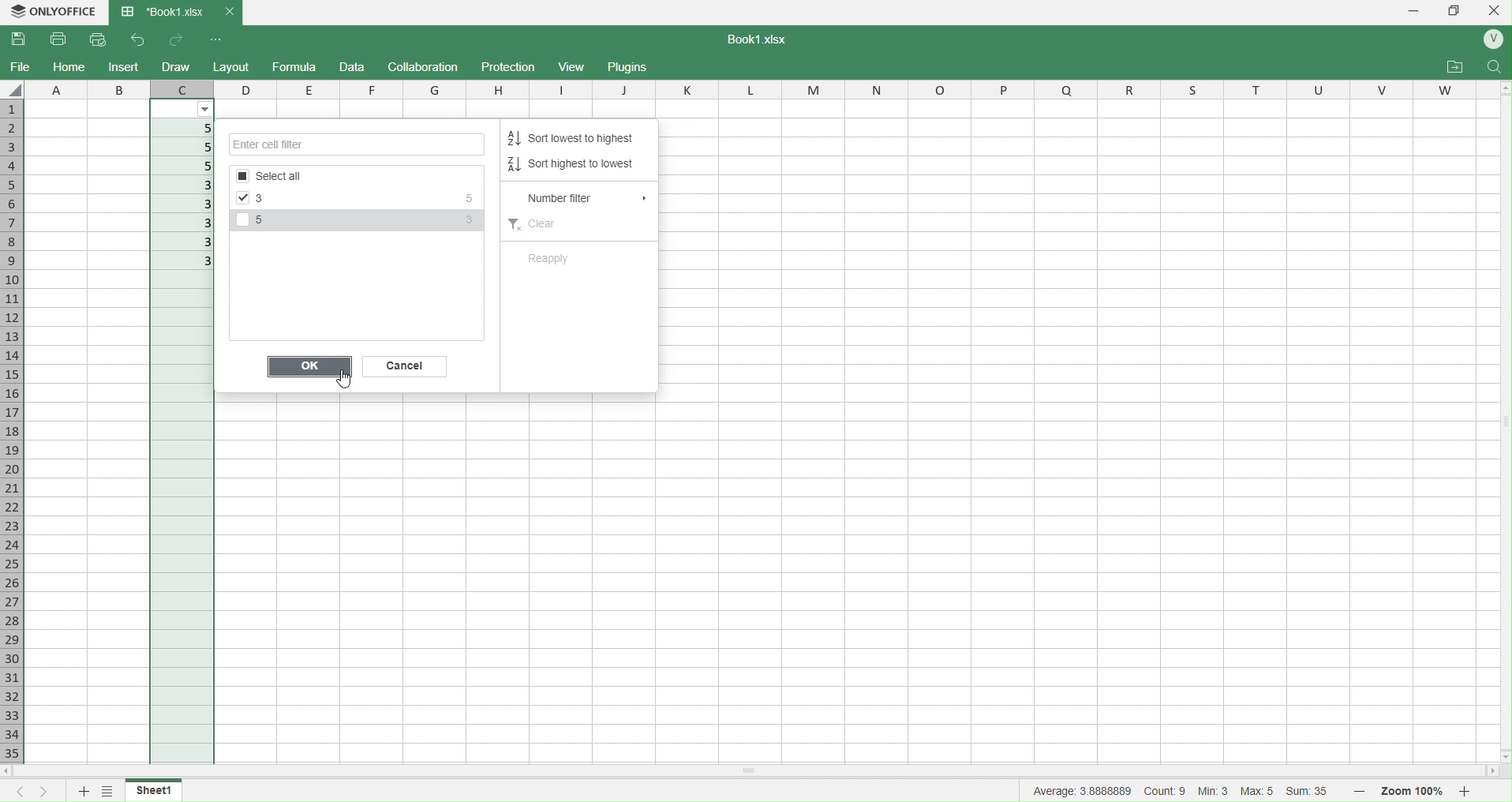 This screenshot has width=1512, height=802. What do you see at coordinates (69, 67) in the screenshot?
I see `Home` at bounding box center [69, 67].